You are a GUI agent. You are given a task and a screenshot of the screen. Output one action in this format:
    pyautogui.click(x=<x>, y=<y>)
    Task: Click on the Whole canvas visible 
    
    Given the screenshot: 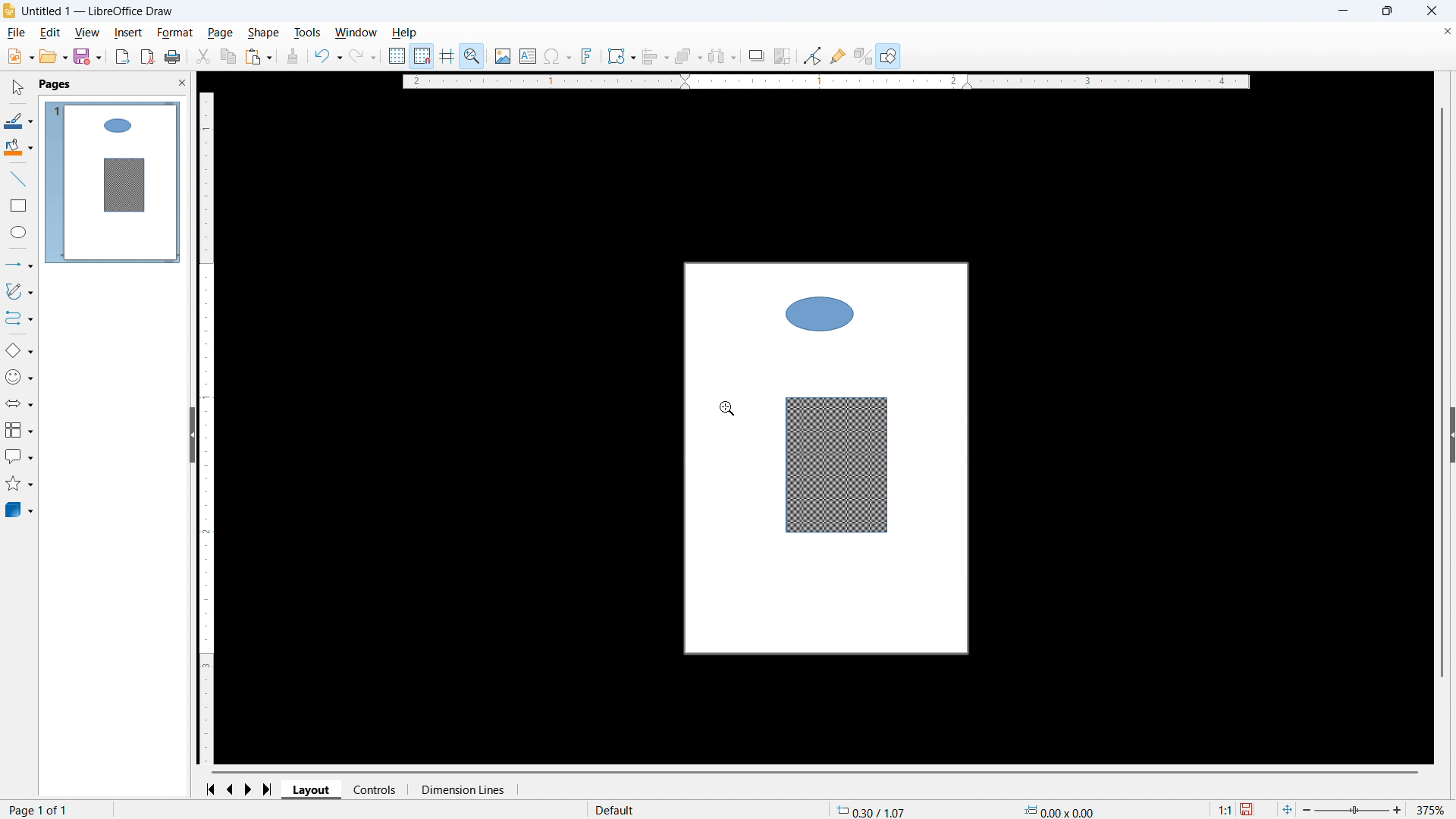 What is the action you would take?
    pyautogui.click(x=827, y=461)
    